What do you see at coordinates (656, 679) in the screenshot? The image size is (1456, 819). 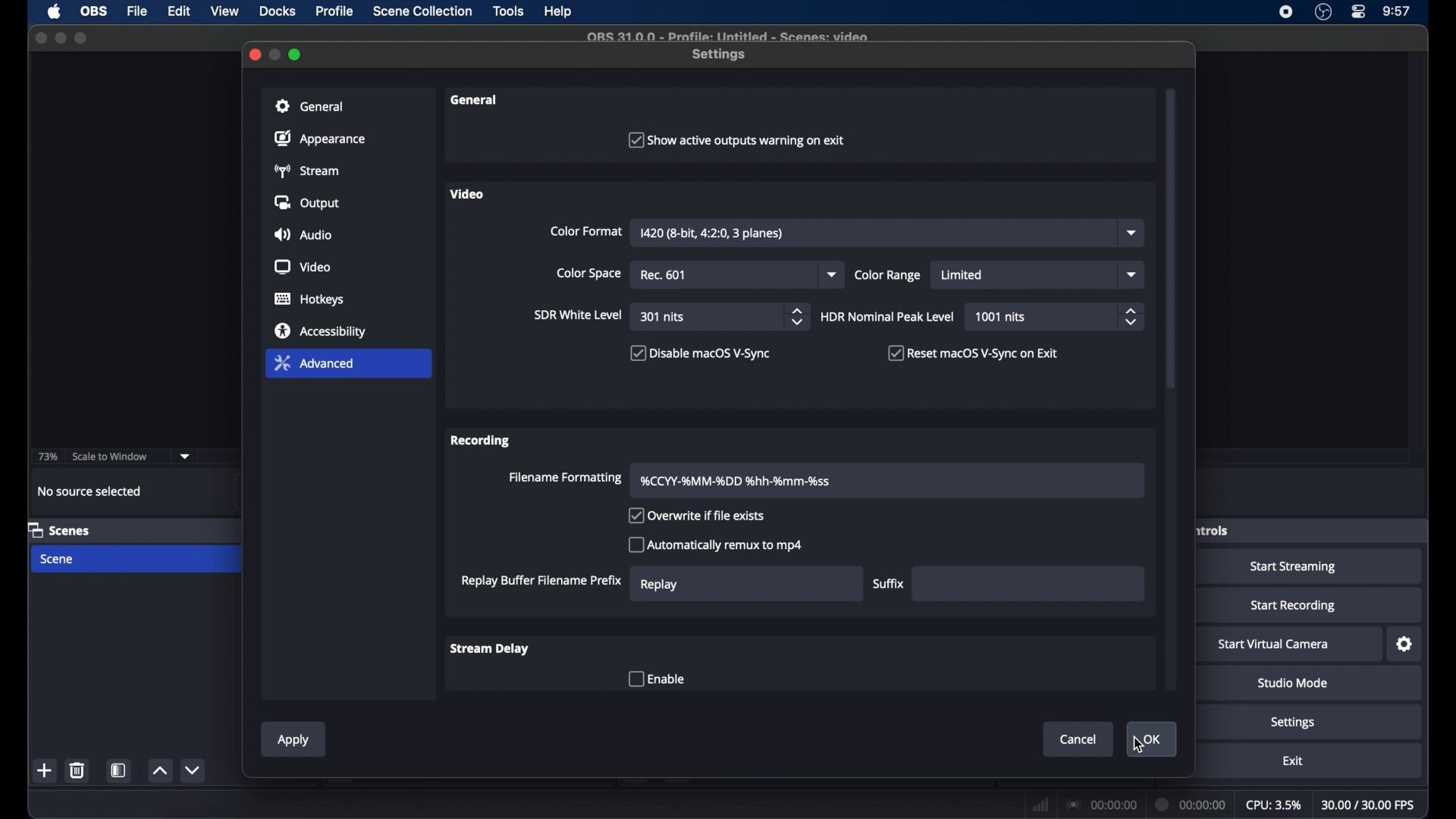 I see `checkbox` at bounding box center [656, 679].